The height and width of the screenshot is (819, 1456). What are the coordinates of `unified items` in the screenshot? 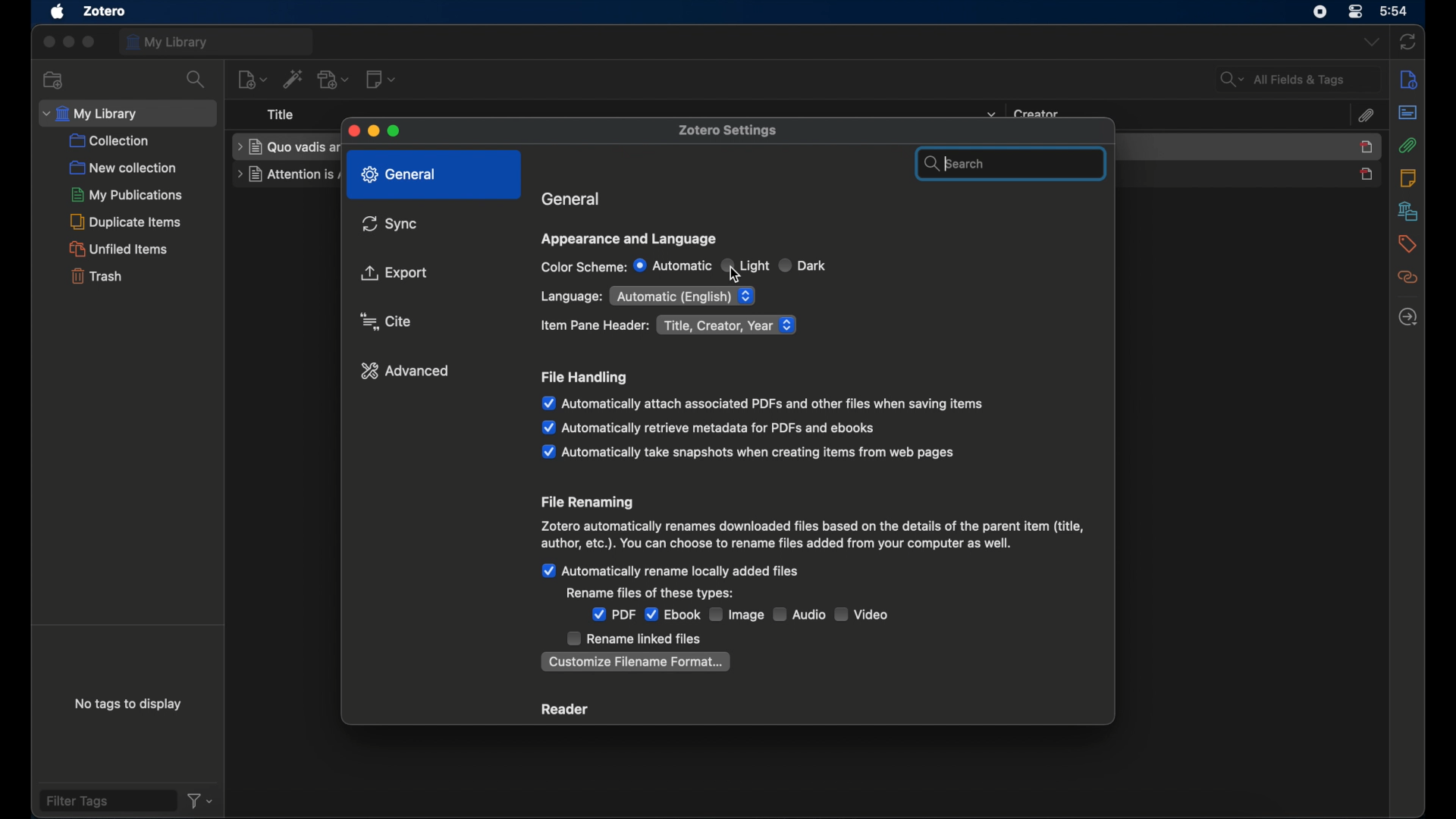 It's located at (120, 249).